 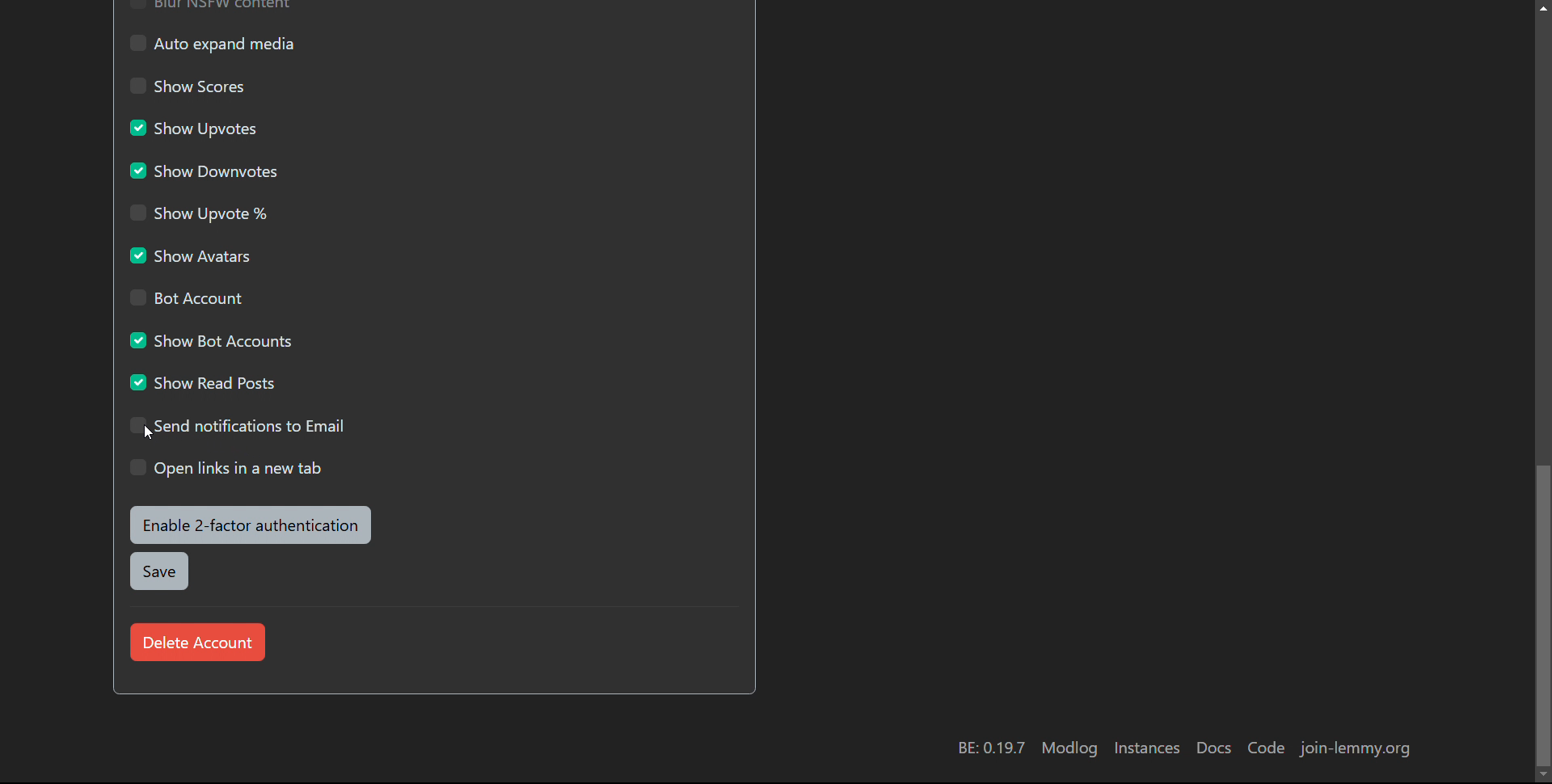 I want to click on show scores, so click(x=192, y=86).